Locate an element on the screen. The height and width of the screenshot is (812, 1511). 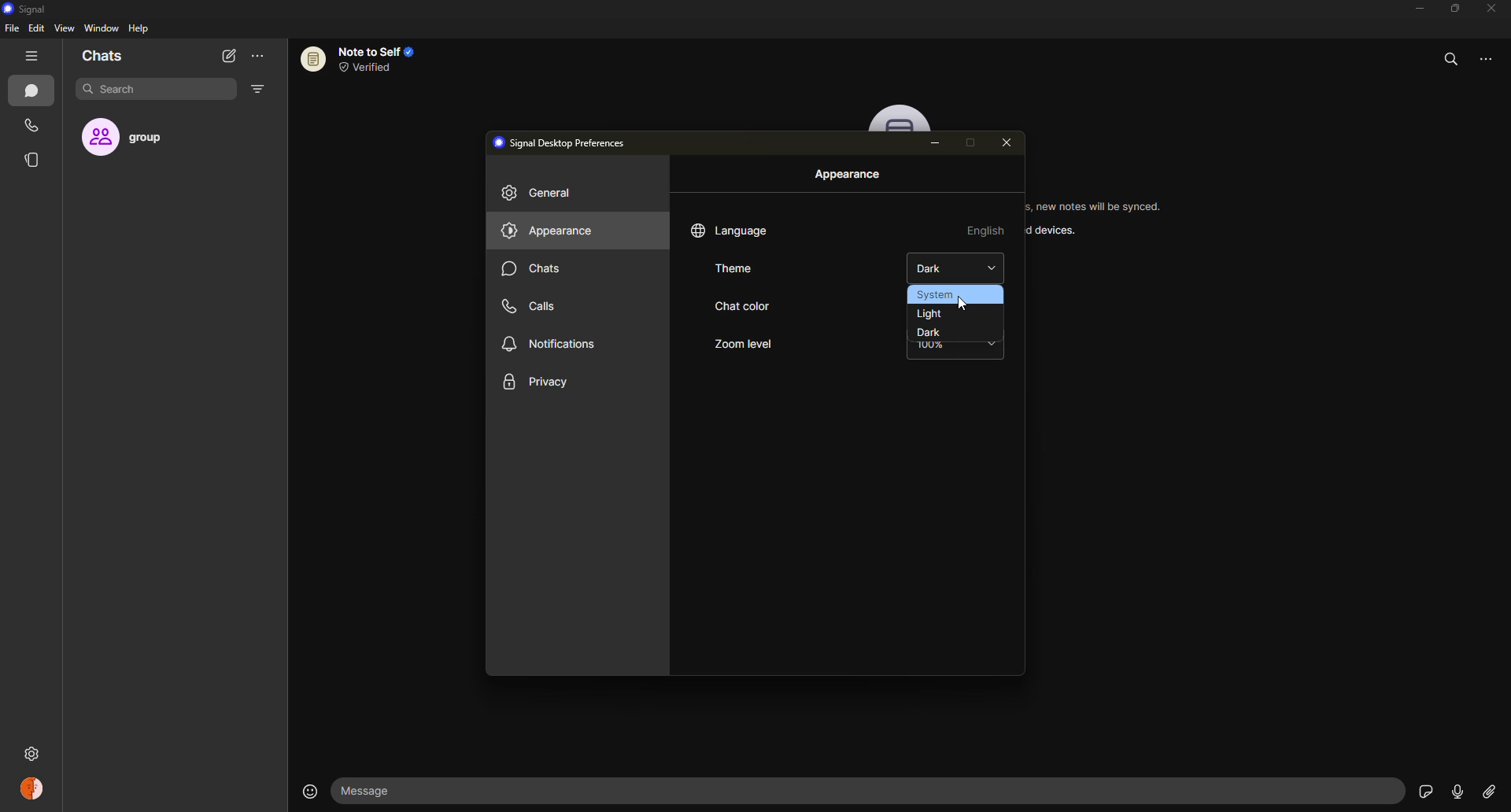
group is located at coordinates (139, 138).